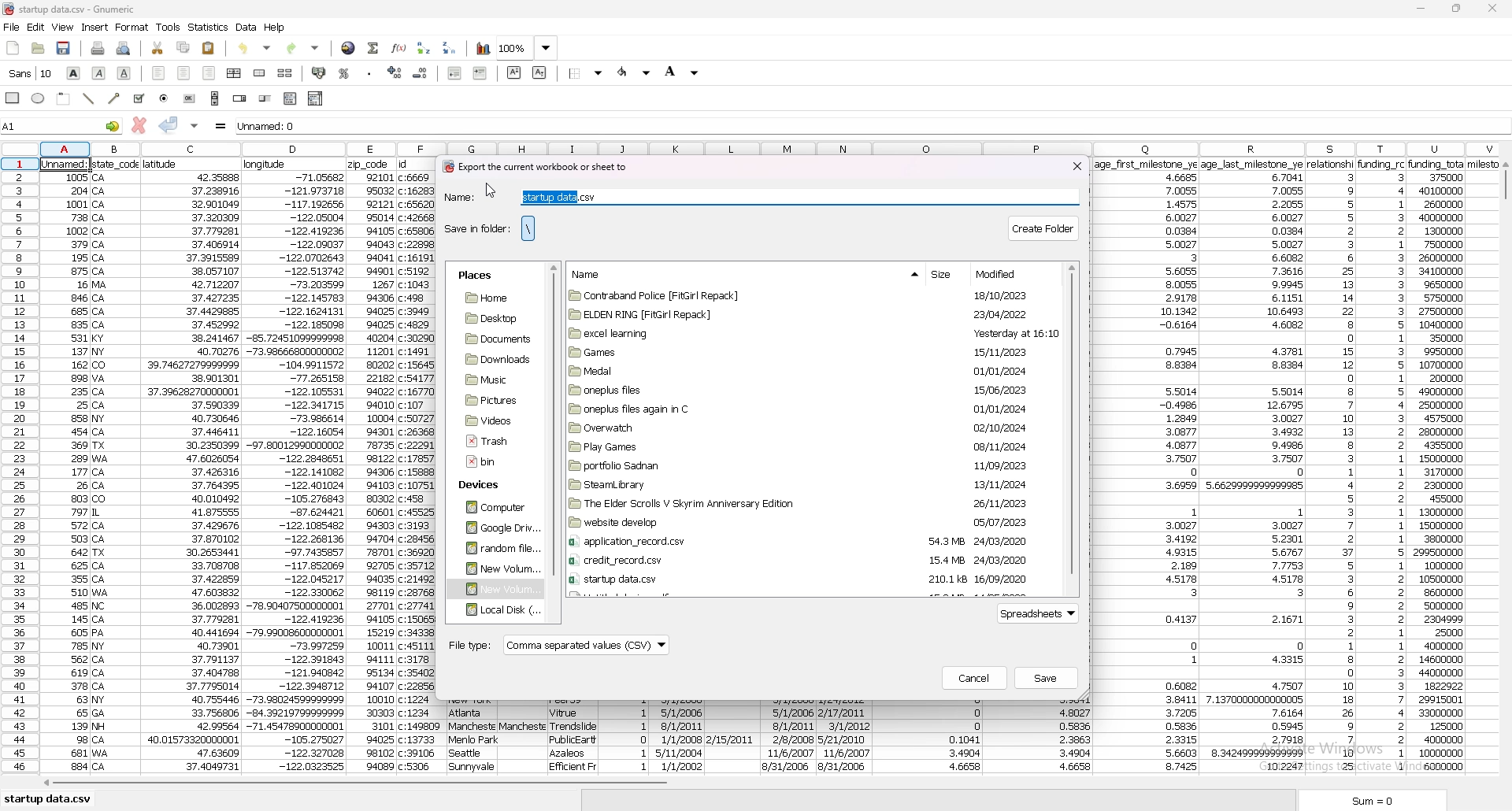 This screenshot has height=811, width=1512. I want to click on folder, so click(802, 370).